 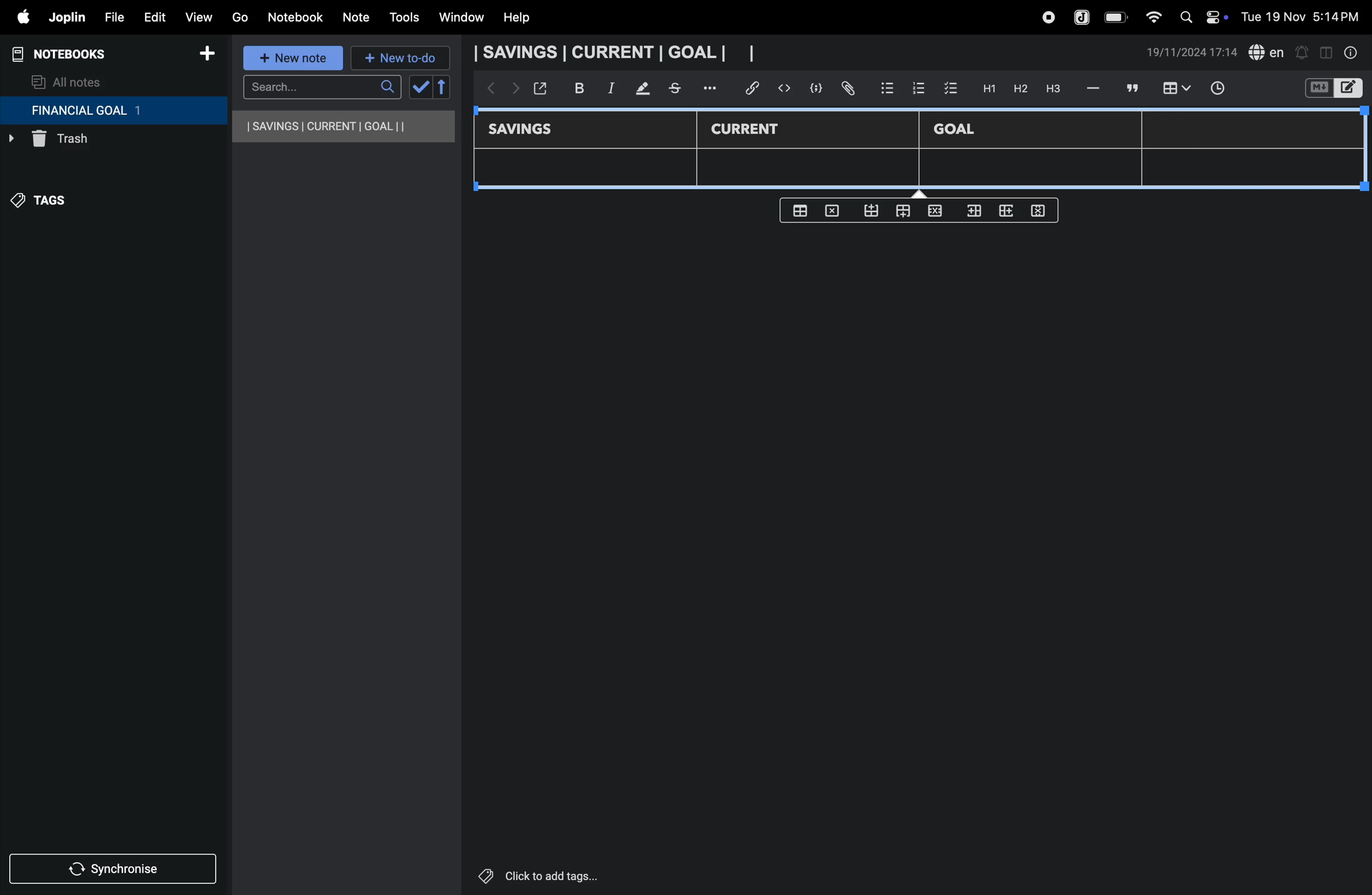 I want to click on savings, so click(x=529, y=130).